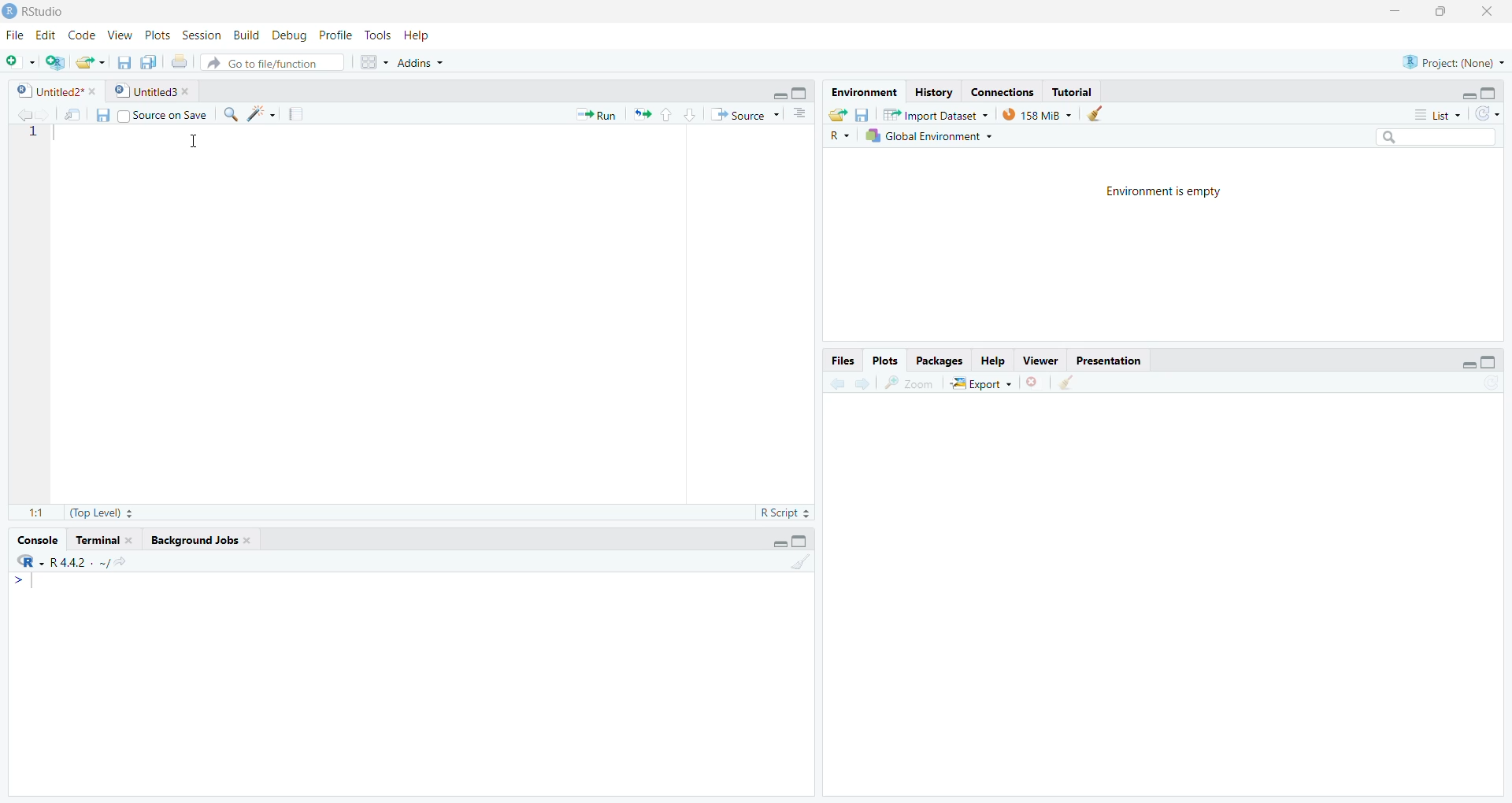  Describe the element at coordinates (1492, 115) in the screenshot. I see `Refresh` at that location.